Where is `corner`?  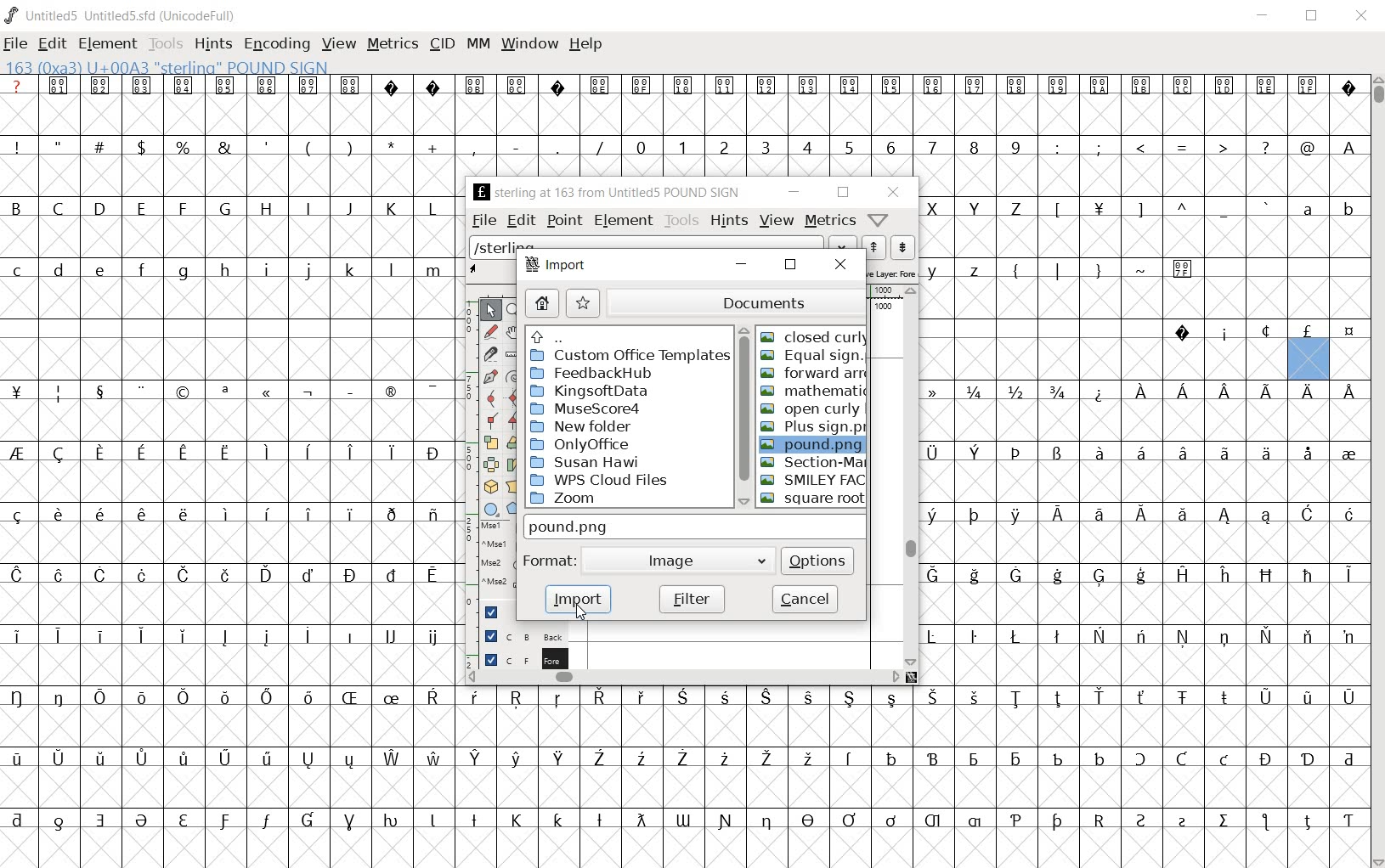
corner is located at coordinates (495, 424).